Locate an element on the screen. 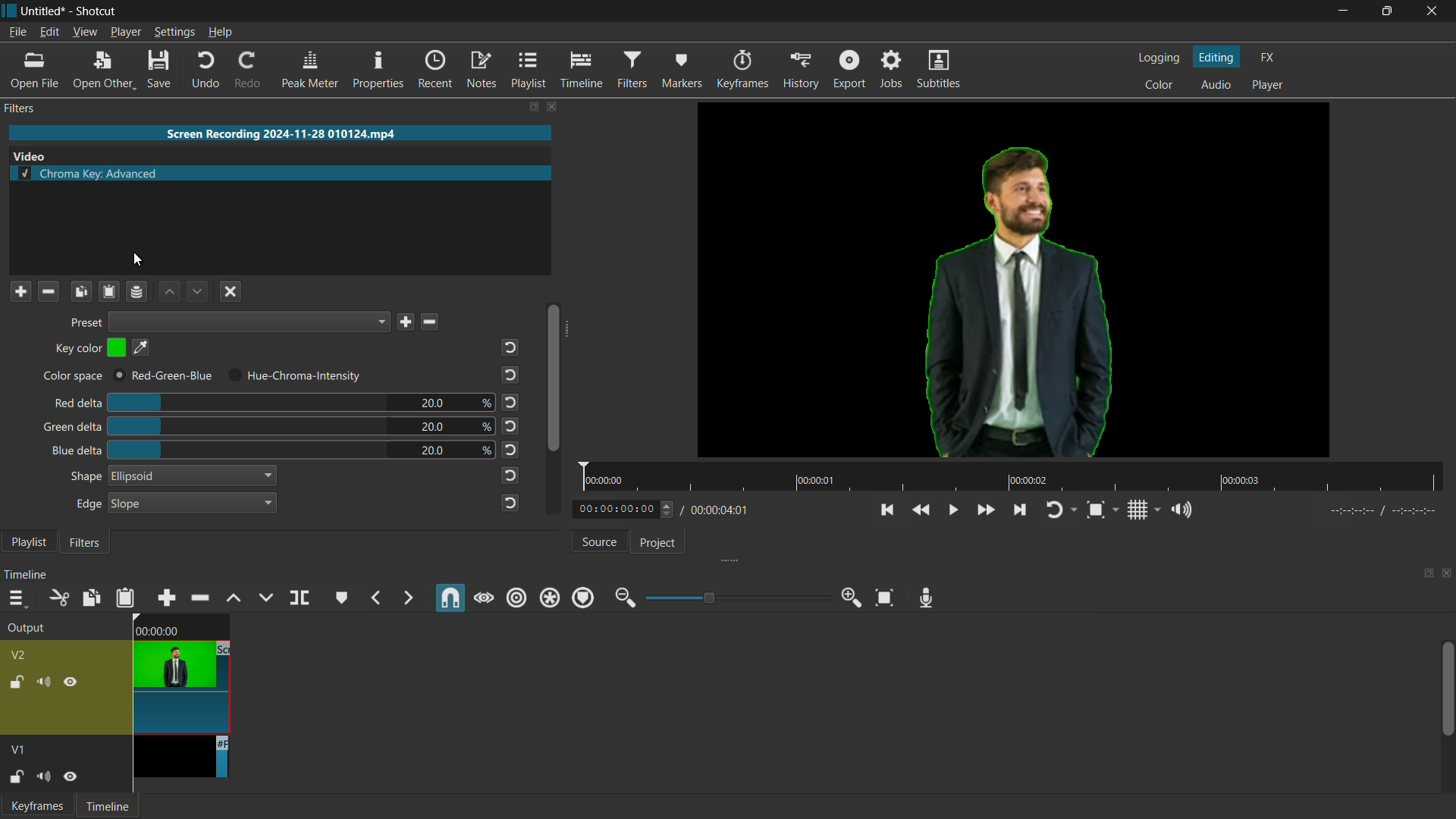 The height and width of the screenshot is (819, 1456). reset to default is located at coordinates (511, 450).